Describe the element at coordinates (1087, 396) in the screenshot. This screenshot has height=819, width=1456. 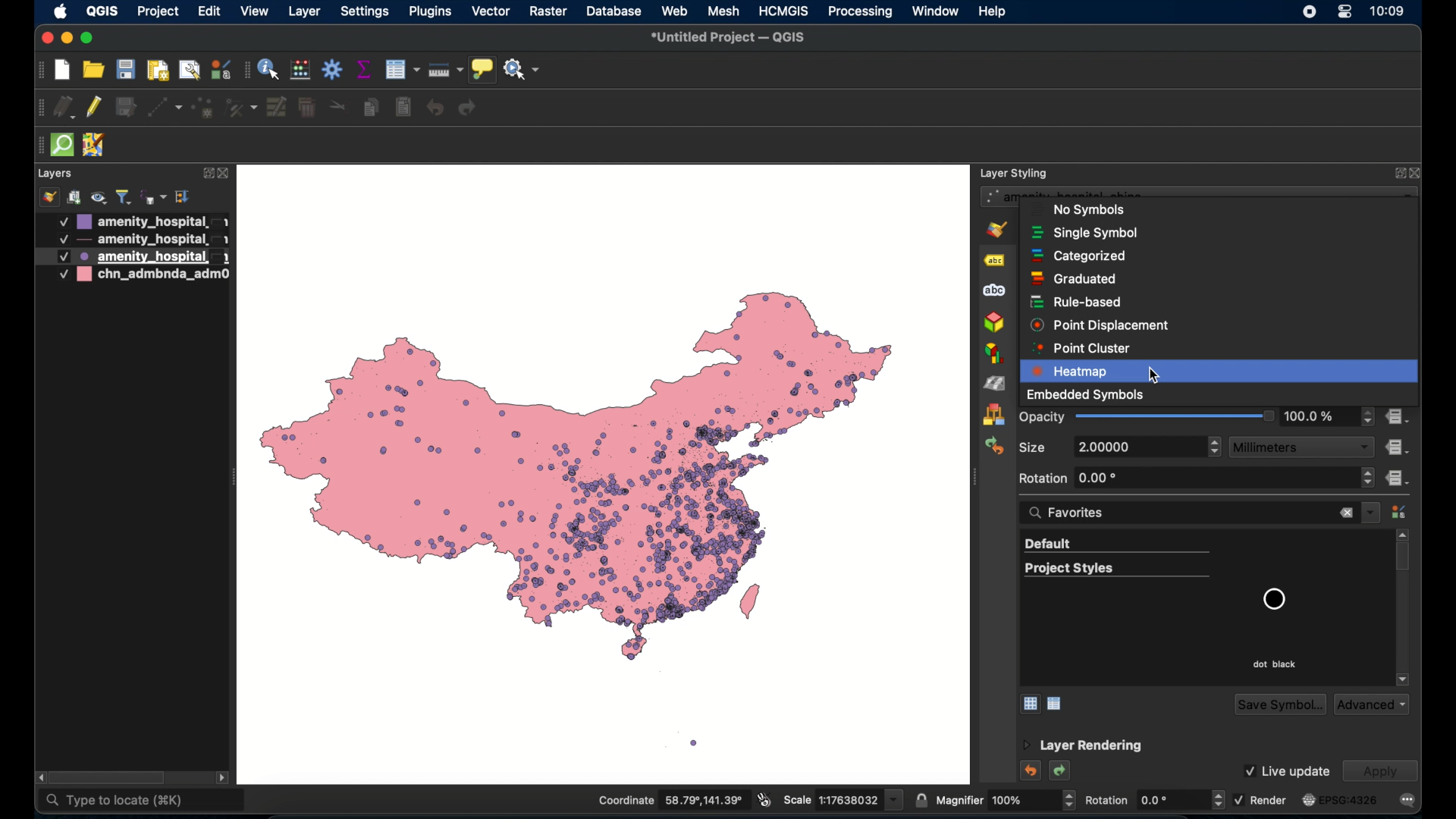
I see `embedded symbols` at that location.